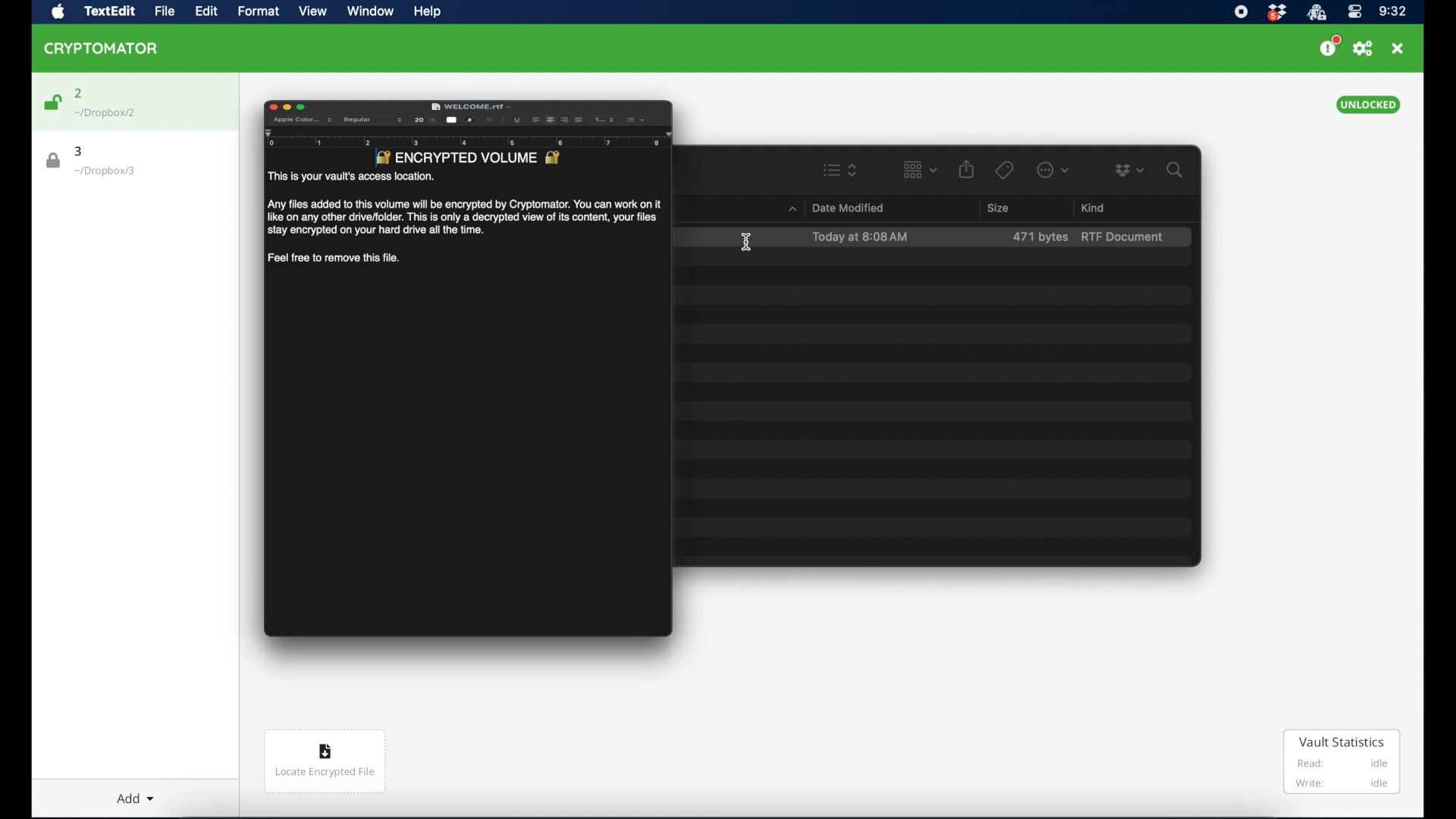  Describe the element at coordinates (998, 208) in the screenshot. I see `size` at that location.